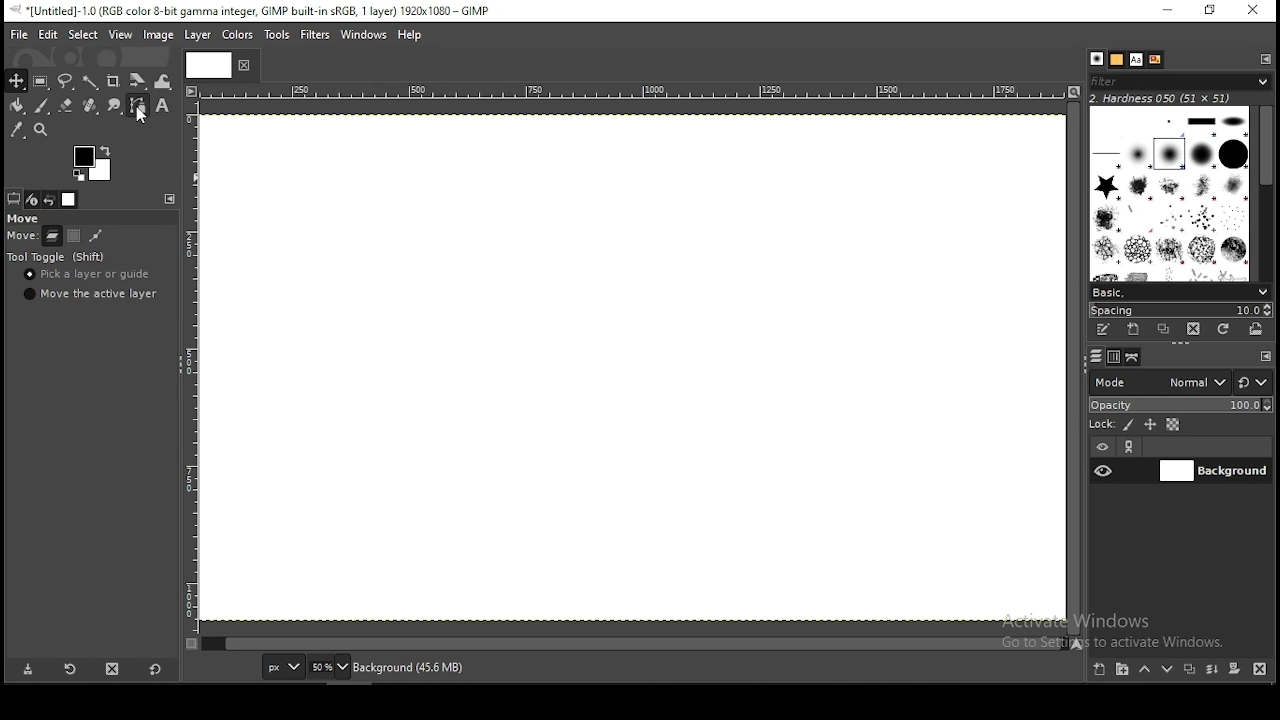 Image resolution: width=1280 pixels, height=720 pixels. What do you see at coordinates (19, 35) in the screenshot?
I see `file` at bounding box center [19, 35].